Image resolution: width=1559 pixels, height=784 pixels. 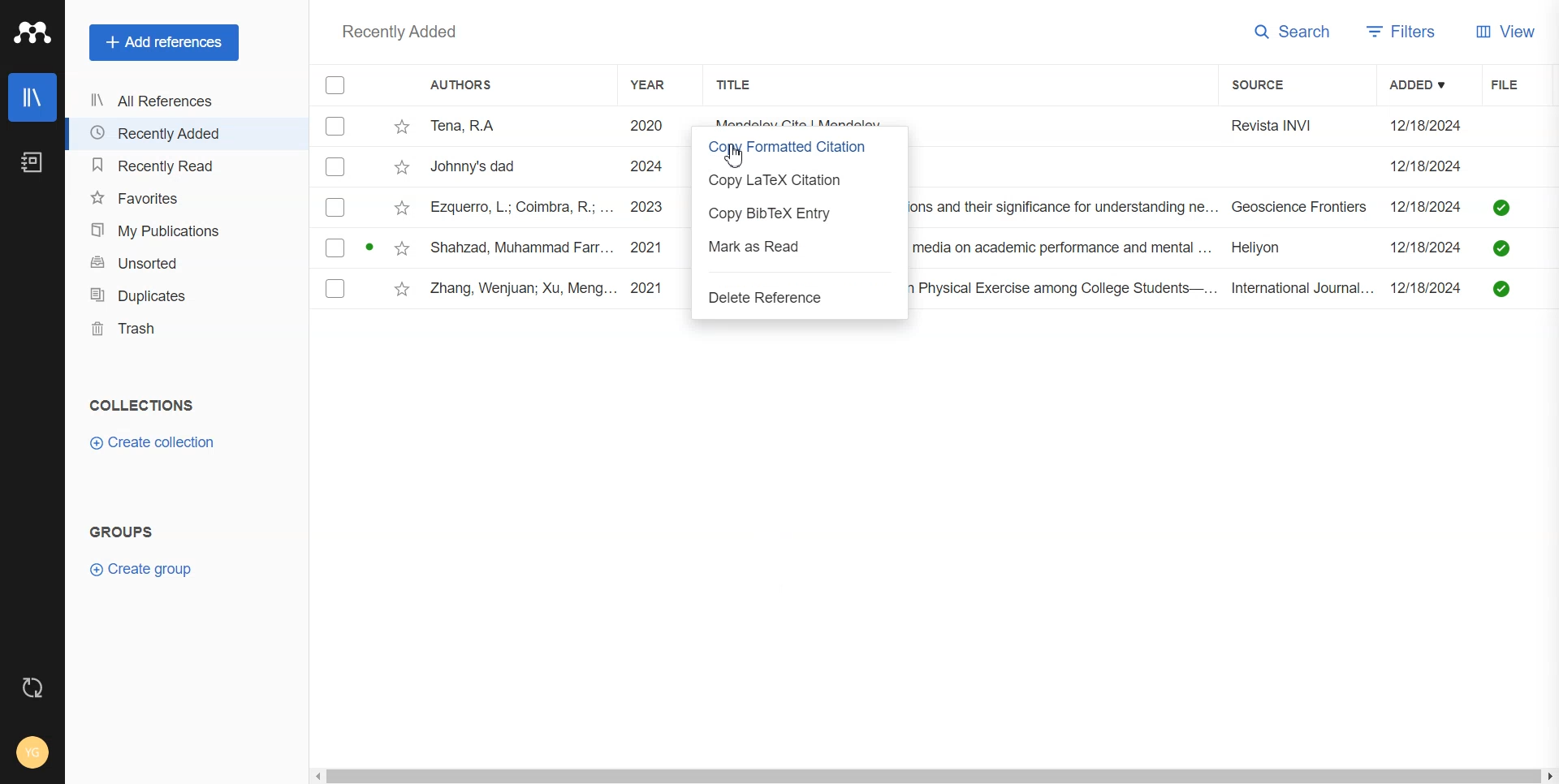 What do you see at coordinates (1507, 33) in the screenshot?
I see `View` at bounding box center [1507, 33].